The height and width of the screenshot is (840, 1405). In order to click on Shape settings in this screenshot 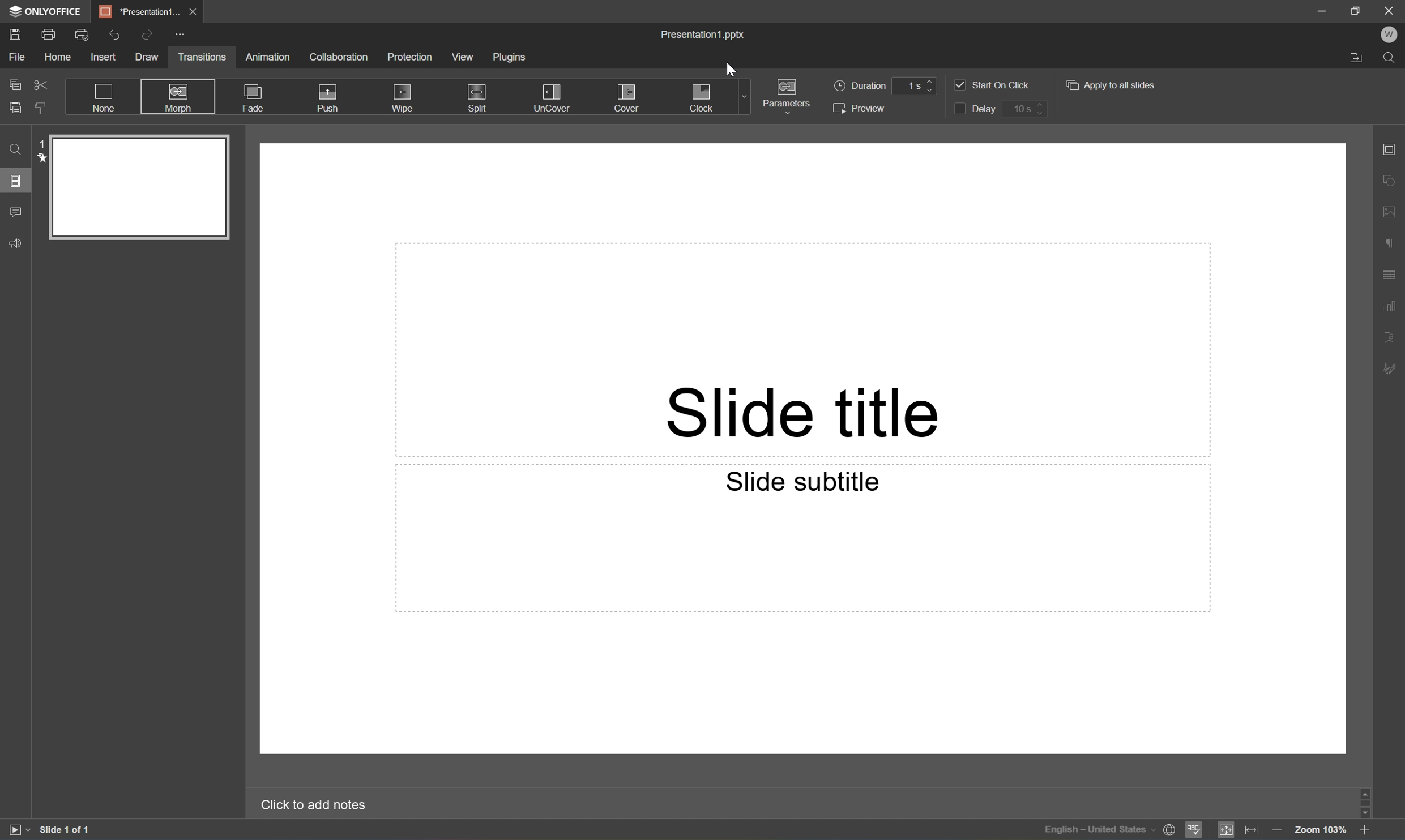, I will do `click(1387, 180)`.